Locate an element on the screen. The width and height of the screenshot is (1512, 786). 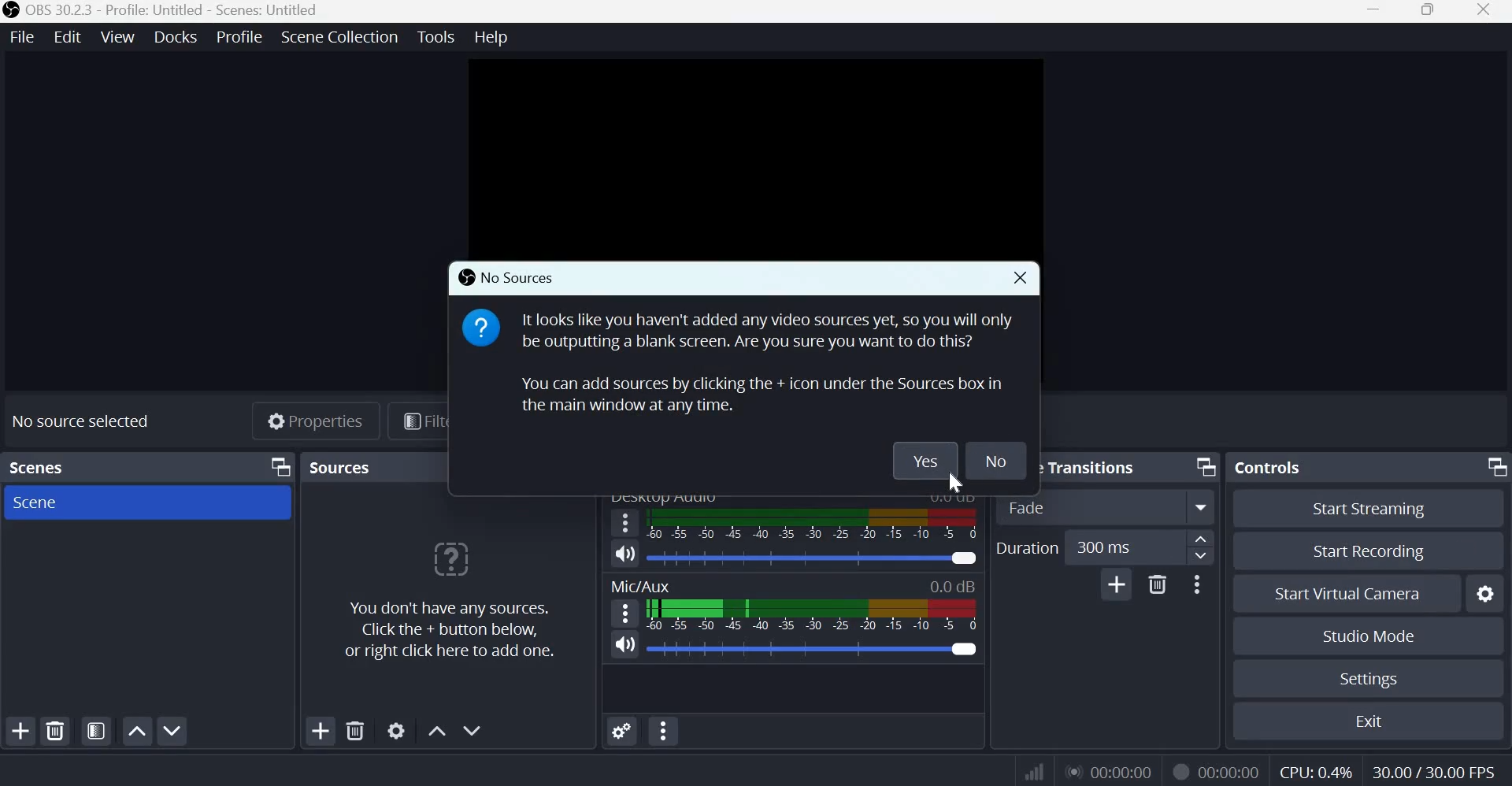
Scene Collection is located at coordinates (342, 38).